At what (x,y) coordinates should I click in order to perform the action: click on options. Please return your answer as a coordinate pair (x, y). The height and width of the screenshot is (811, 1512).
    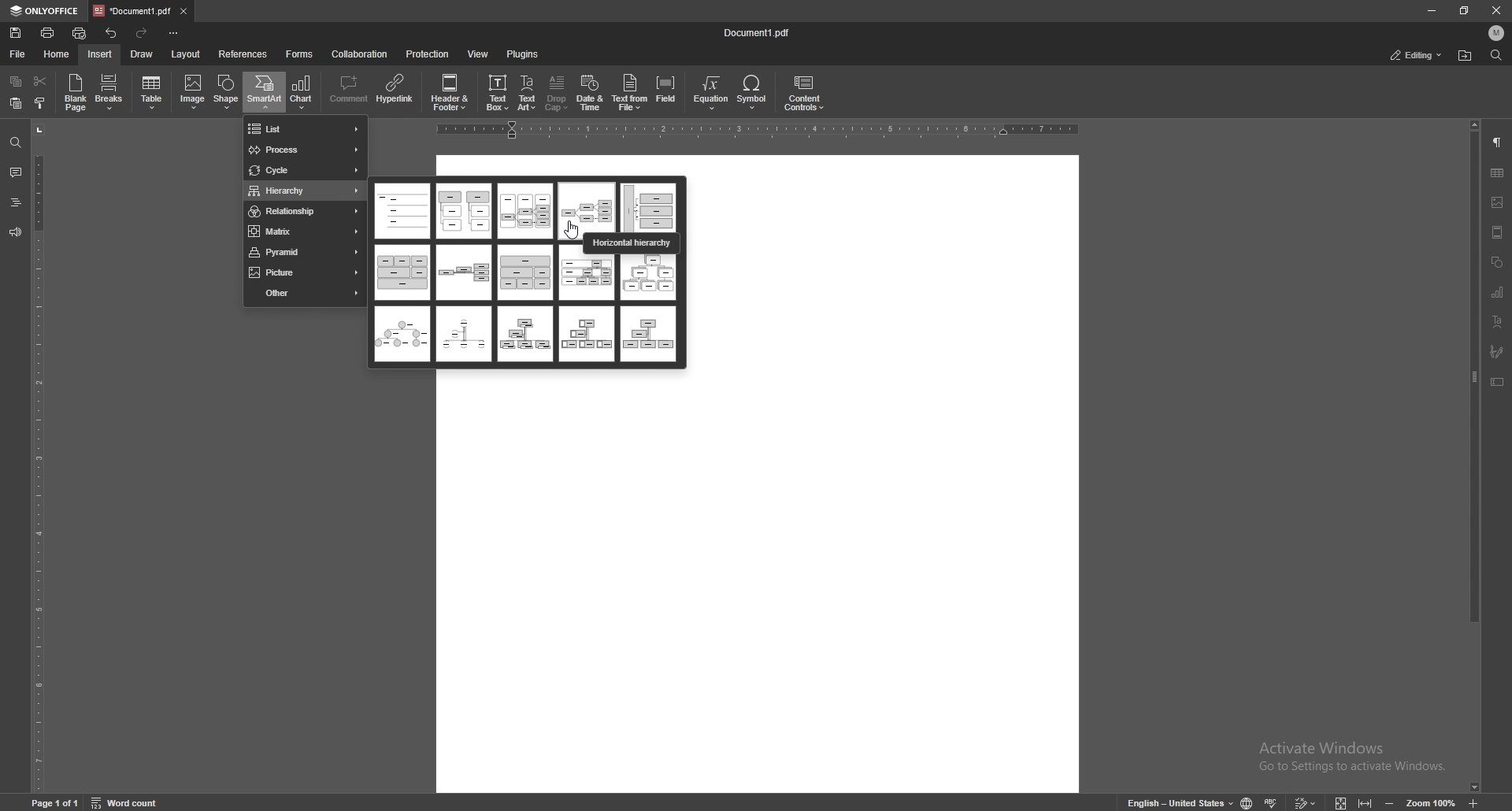
    Looking at the image, I should click on (176, 32).